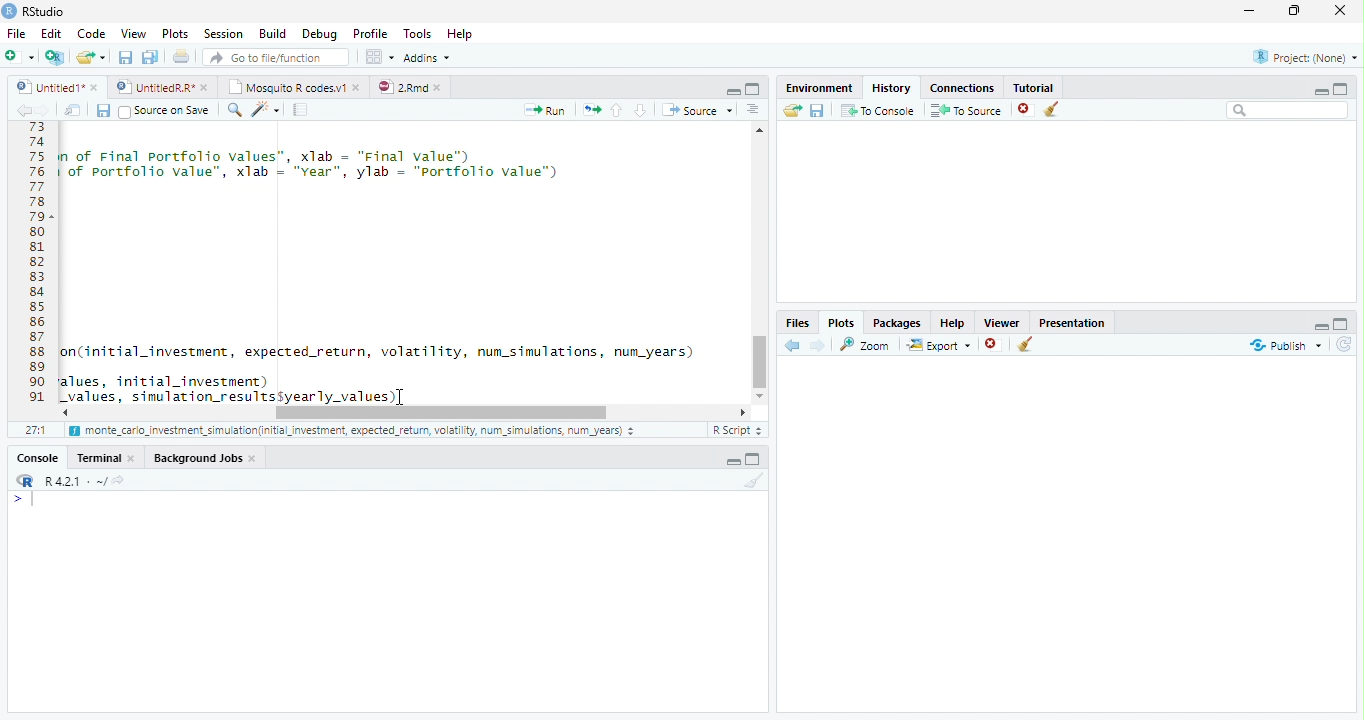 This screenshot has width=1364, height=720. I want to click on Packages, so click(896, 321).